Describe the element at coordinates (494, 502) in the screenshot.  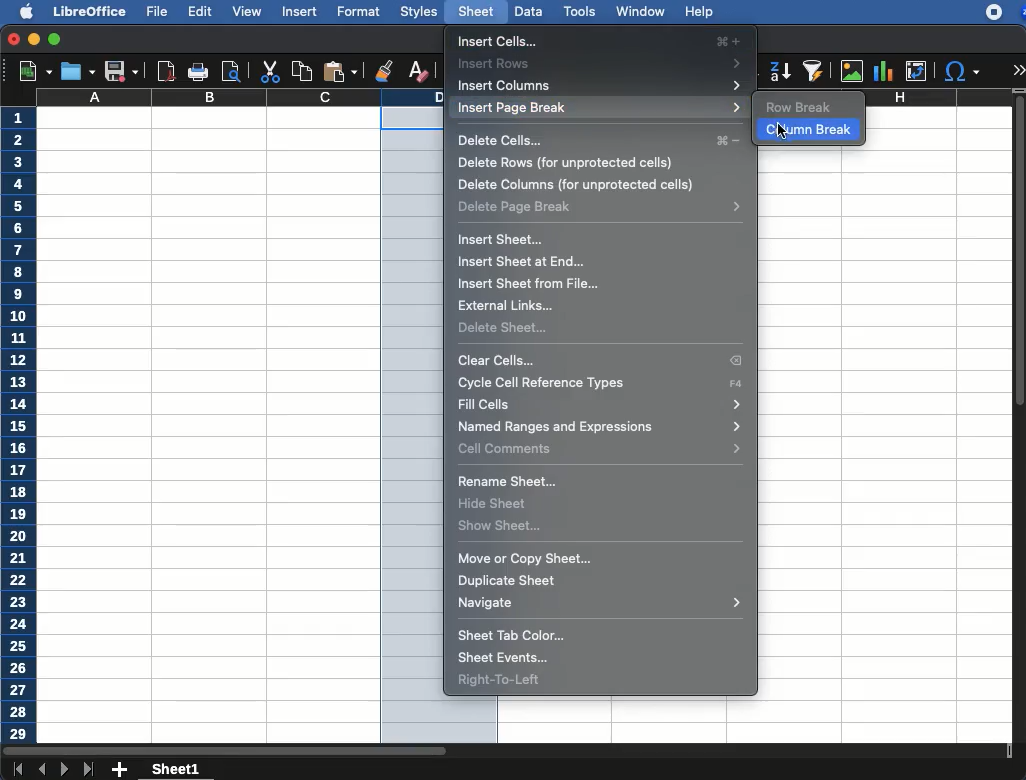
I see `hide sheet` at that location.